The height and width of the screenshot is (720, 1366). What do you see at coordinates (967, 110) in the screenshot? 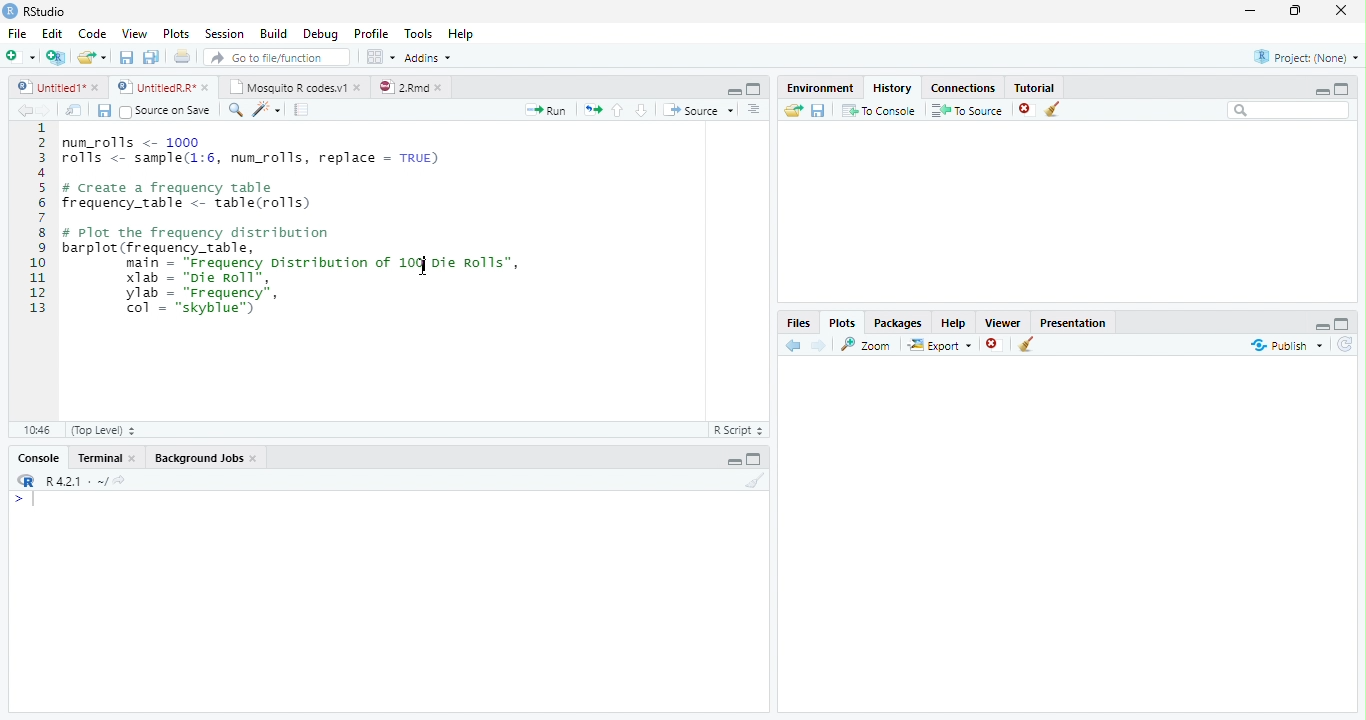
I see `To Source` at bounding box center [967, 110].